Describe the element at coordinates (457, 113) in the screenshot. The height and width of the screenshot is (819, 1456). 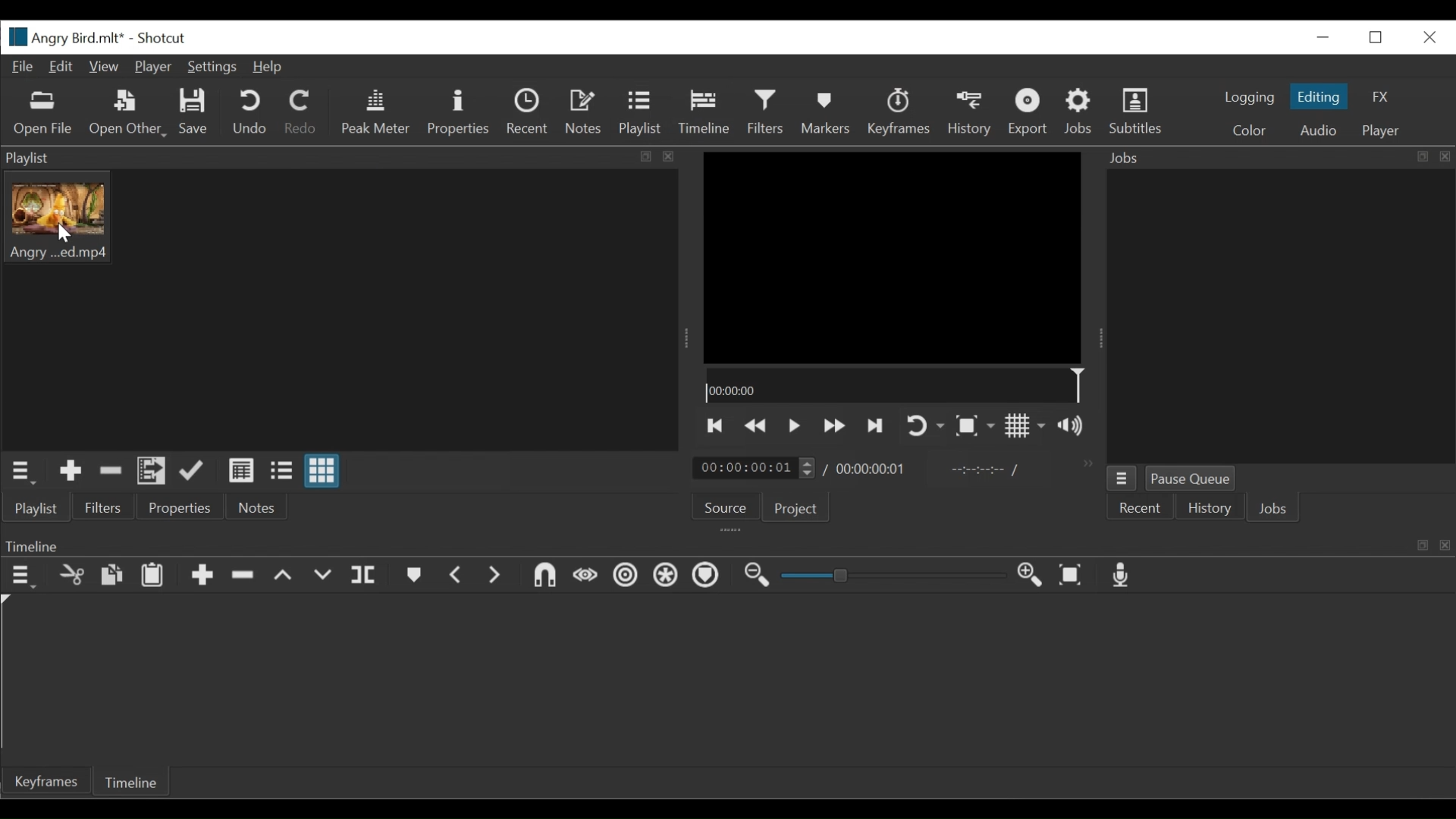
I see `Properties` at that location.